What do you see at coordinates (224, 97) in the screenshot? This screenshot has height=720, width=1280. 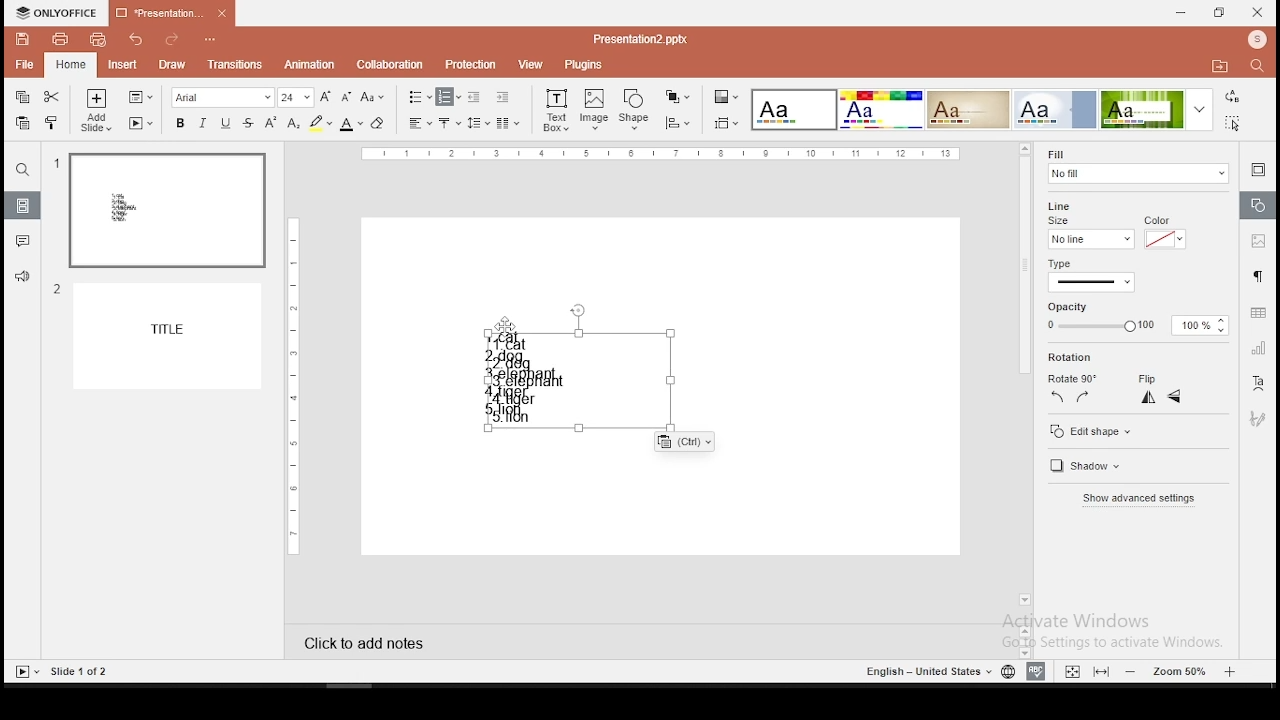 I see `font` at bounding box center [224, 97].